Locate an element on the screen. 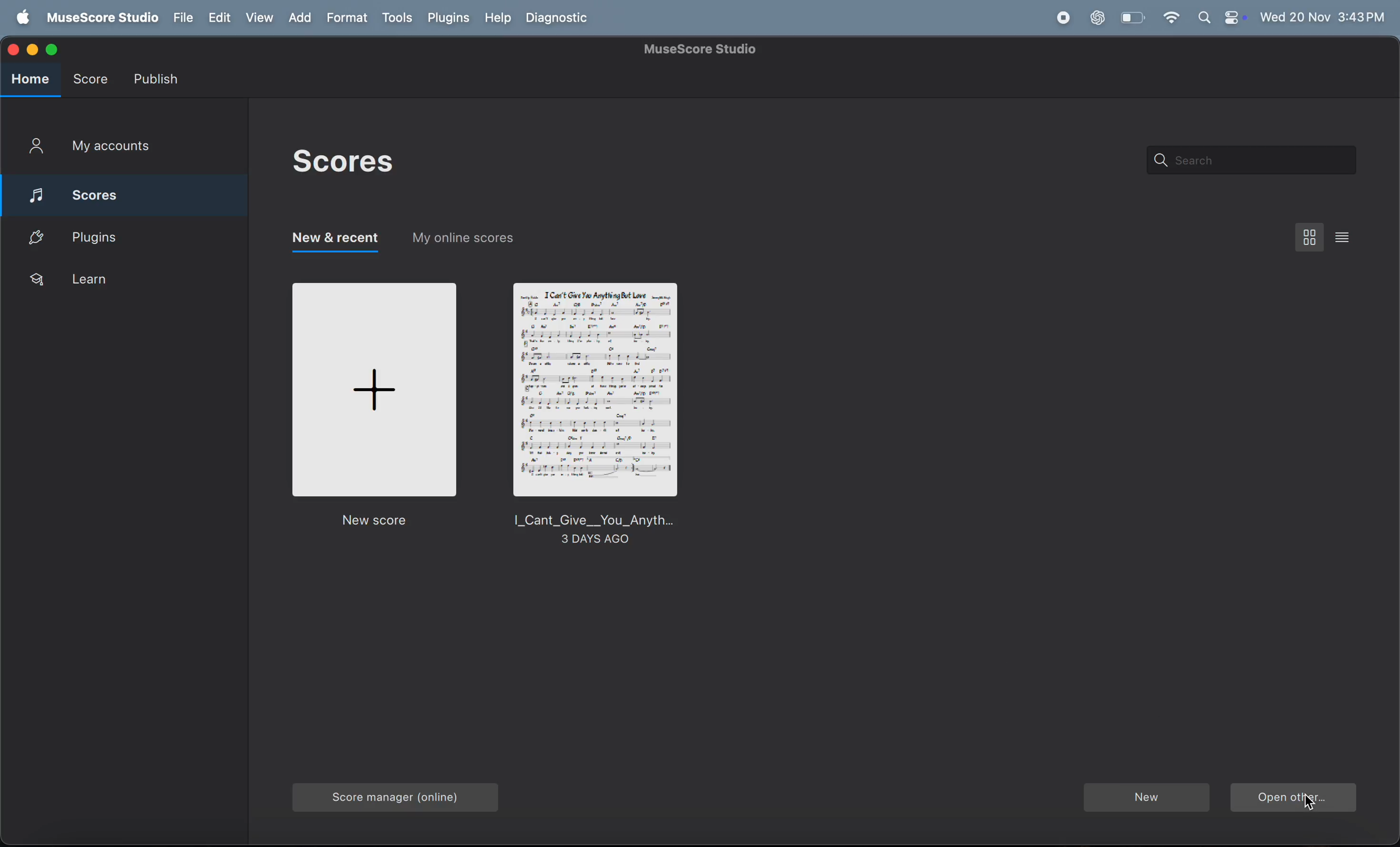 This screenshot has height=847, width=1400. publish is located at coordinates (160, 77).